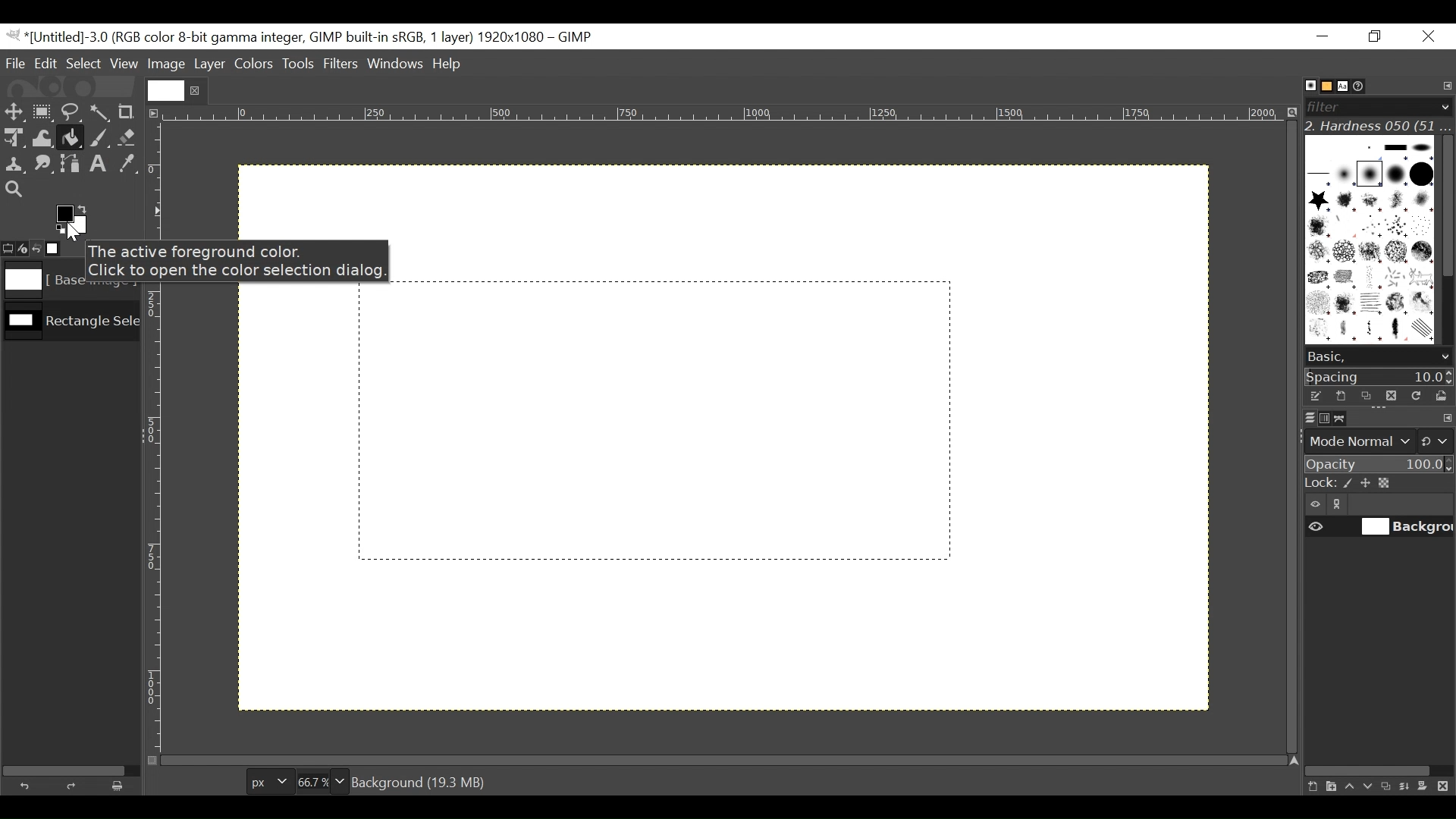 The height and width of the screenshot is (819, 1456). What do you see at coordinates (70, 109) in the screenshot?
I see `Free Select tool` at bounding box center [70, 109].